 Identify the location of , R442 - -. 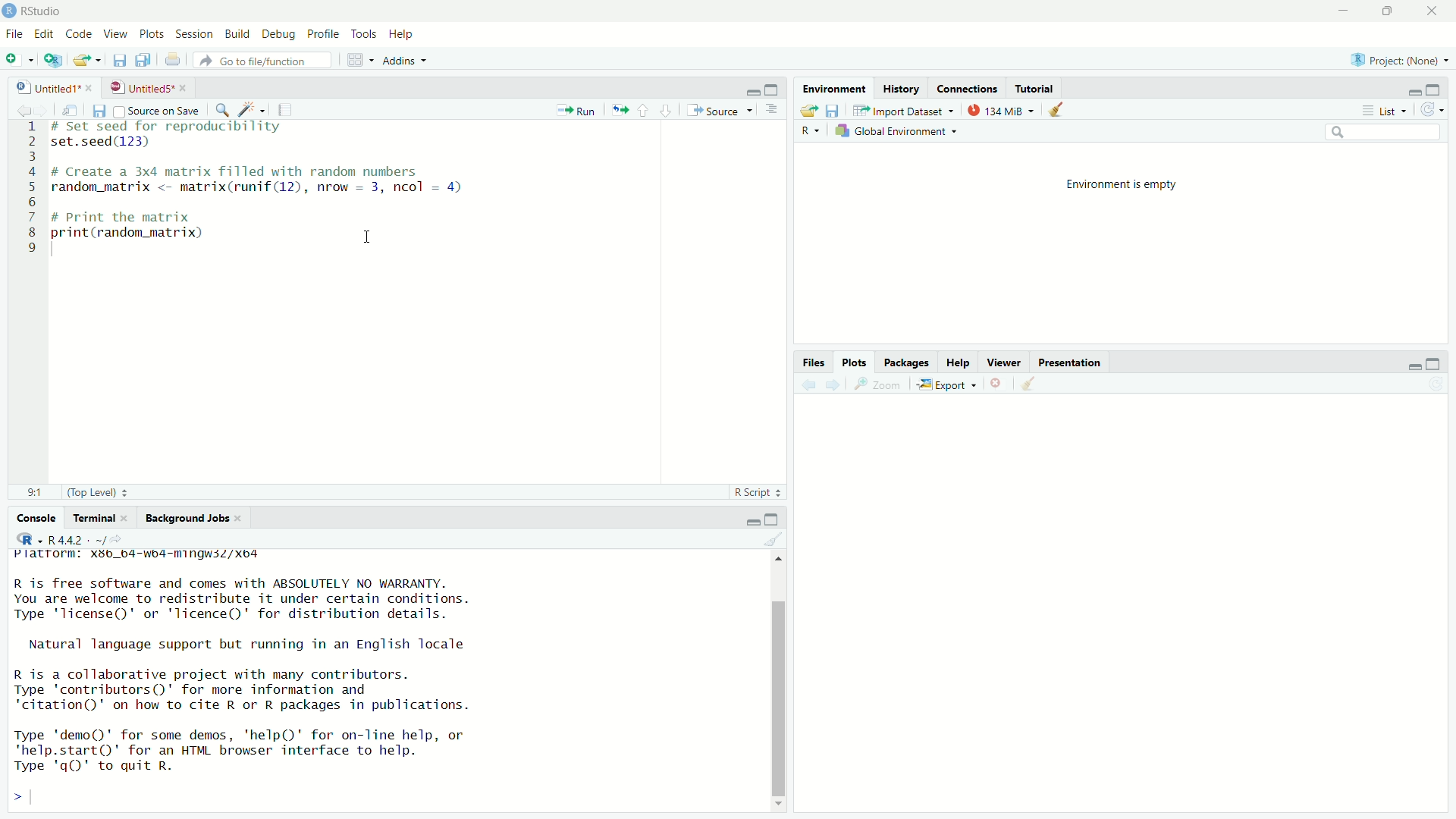
(77, 538).